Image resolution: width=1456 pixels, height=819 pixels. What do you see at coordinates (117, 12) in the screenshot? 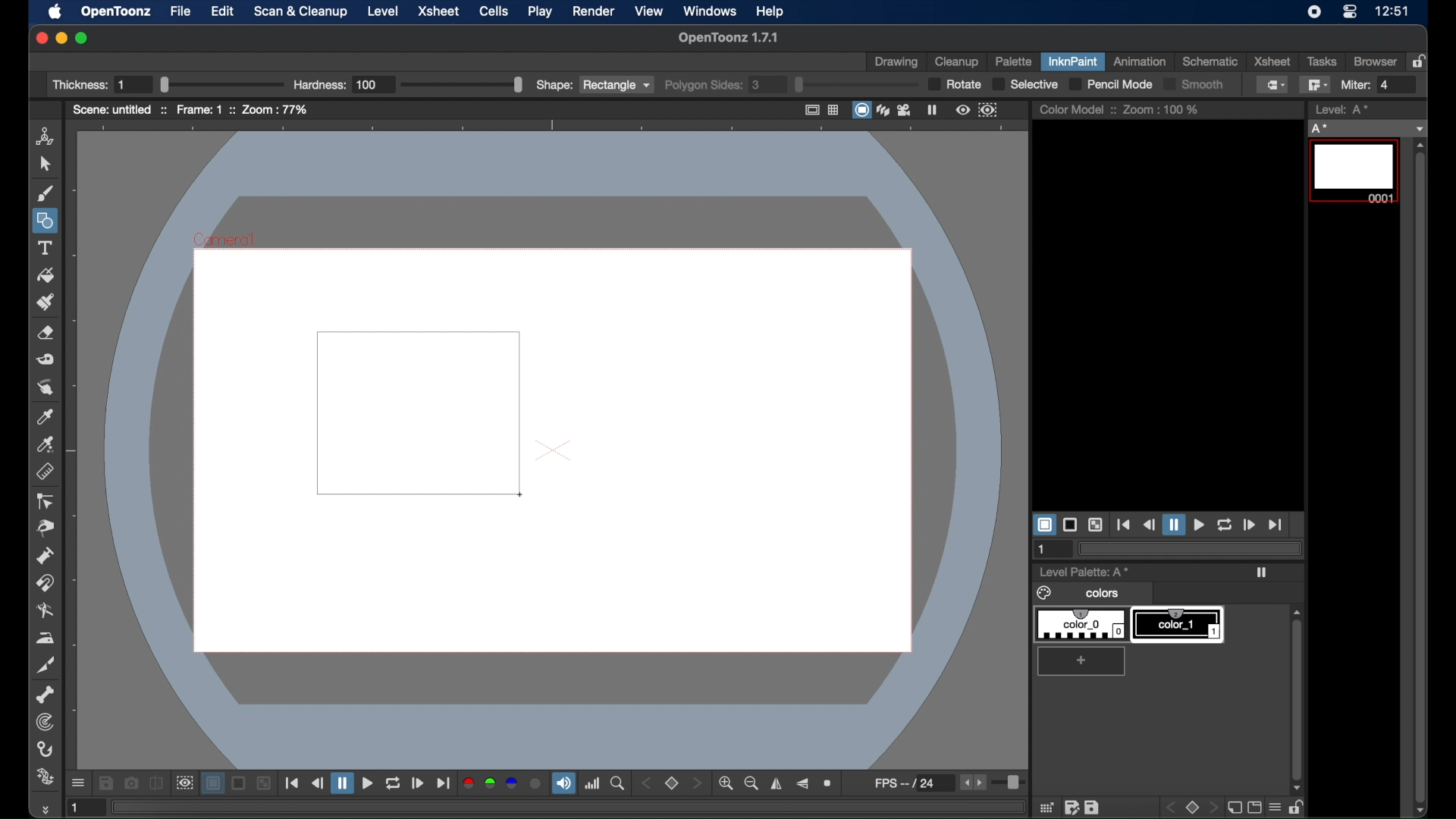
I see `opentoonz` at bounding box center [117, 12].